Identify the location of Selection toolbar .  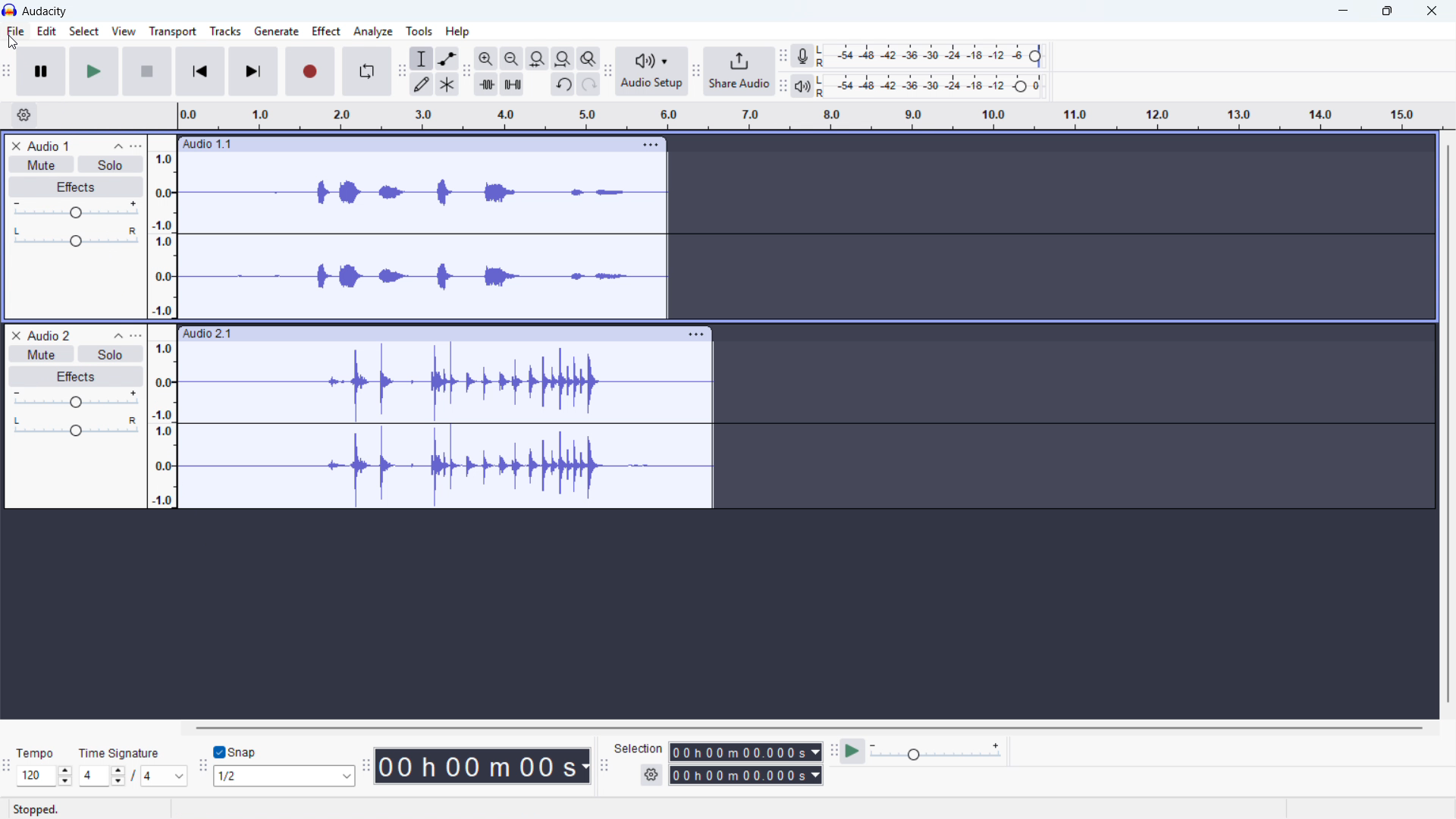
(603, 767).